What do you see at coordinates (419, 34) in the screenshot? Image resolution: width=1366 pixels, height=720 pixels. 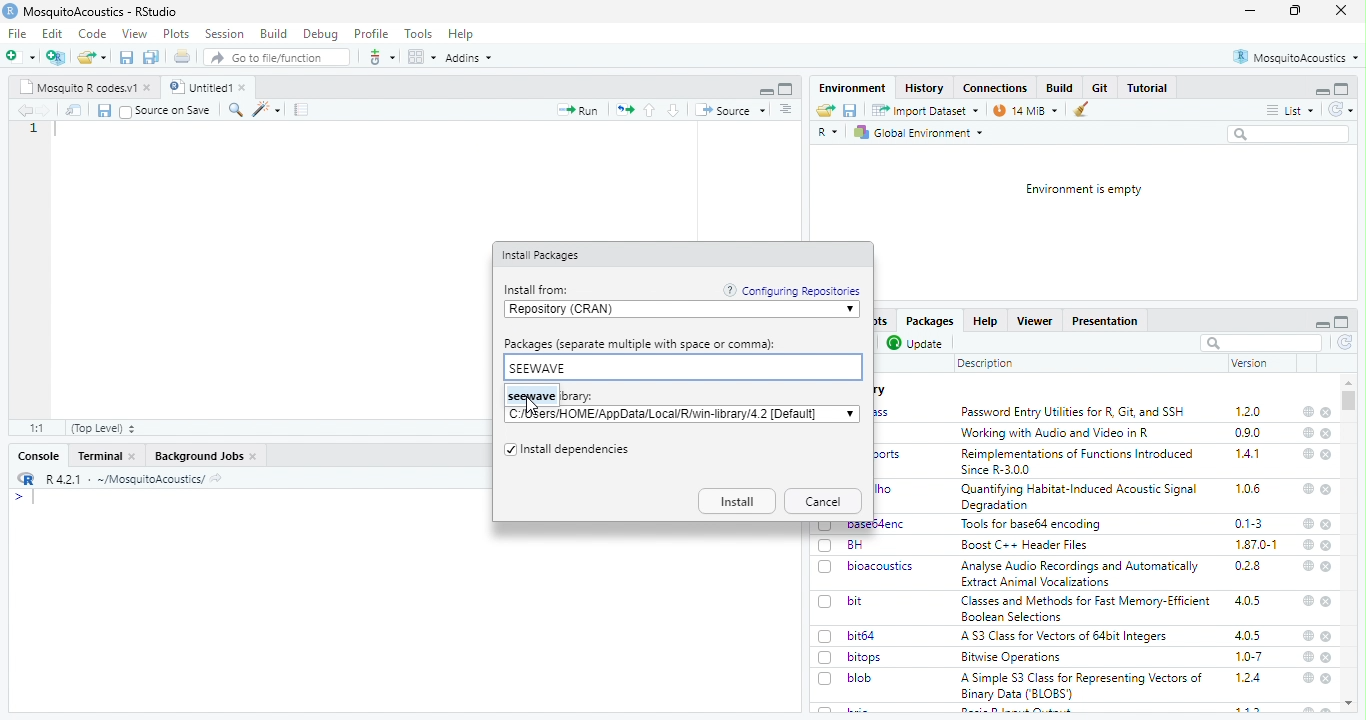 I see `Tools` at bounding box center [419, 34].